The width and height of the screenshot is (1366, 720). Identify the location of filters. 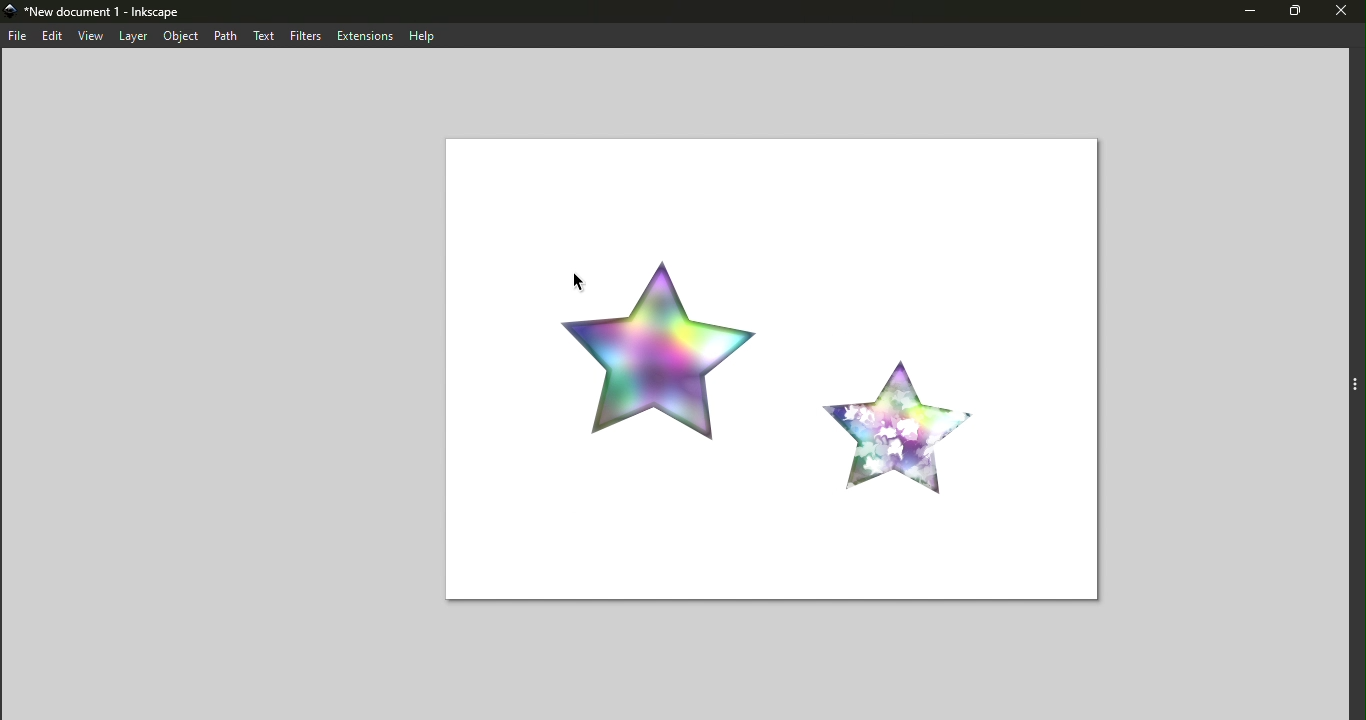
(306, 35).